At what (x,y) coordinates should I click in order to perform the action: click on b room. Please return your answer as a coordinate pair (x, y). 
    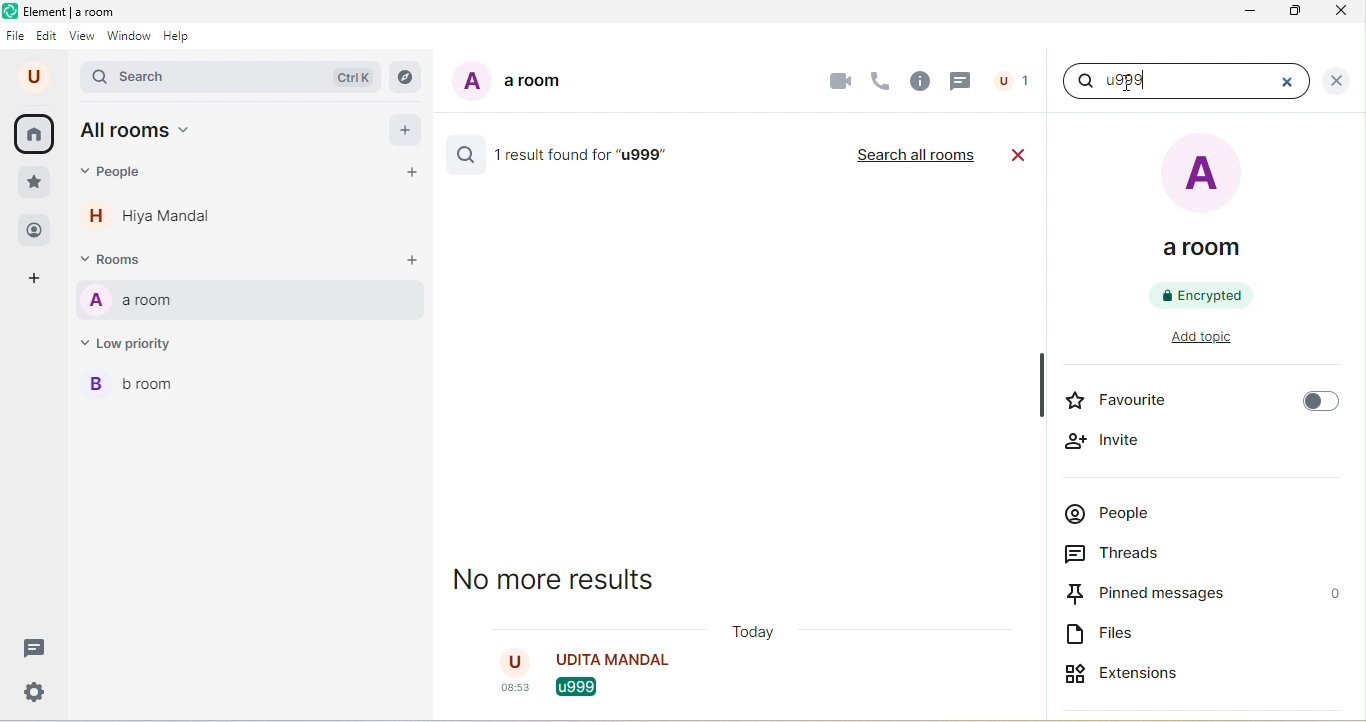
    Looking at the image, I should click on (140, 389).